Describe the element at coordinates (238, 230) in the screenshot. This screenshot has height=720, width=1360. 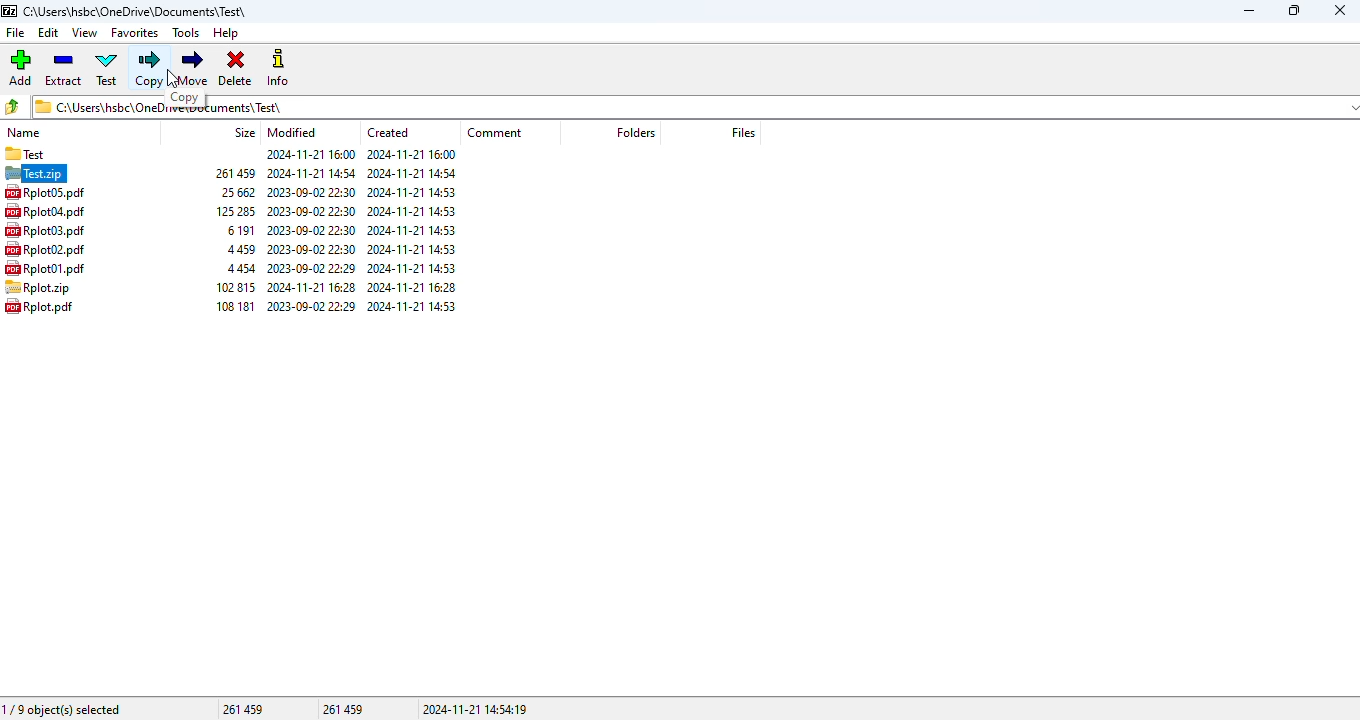
I see `size` at that location.